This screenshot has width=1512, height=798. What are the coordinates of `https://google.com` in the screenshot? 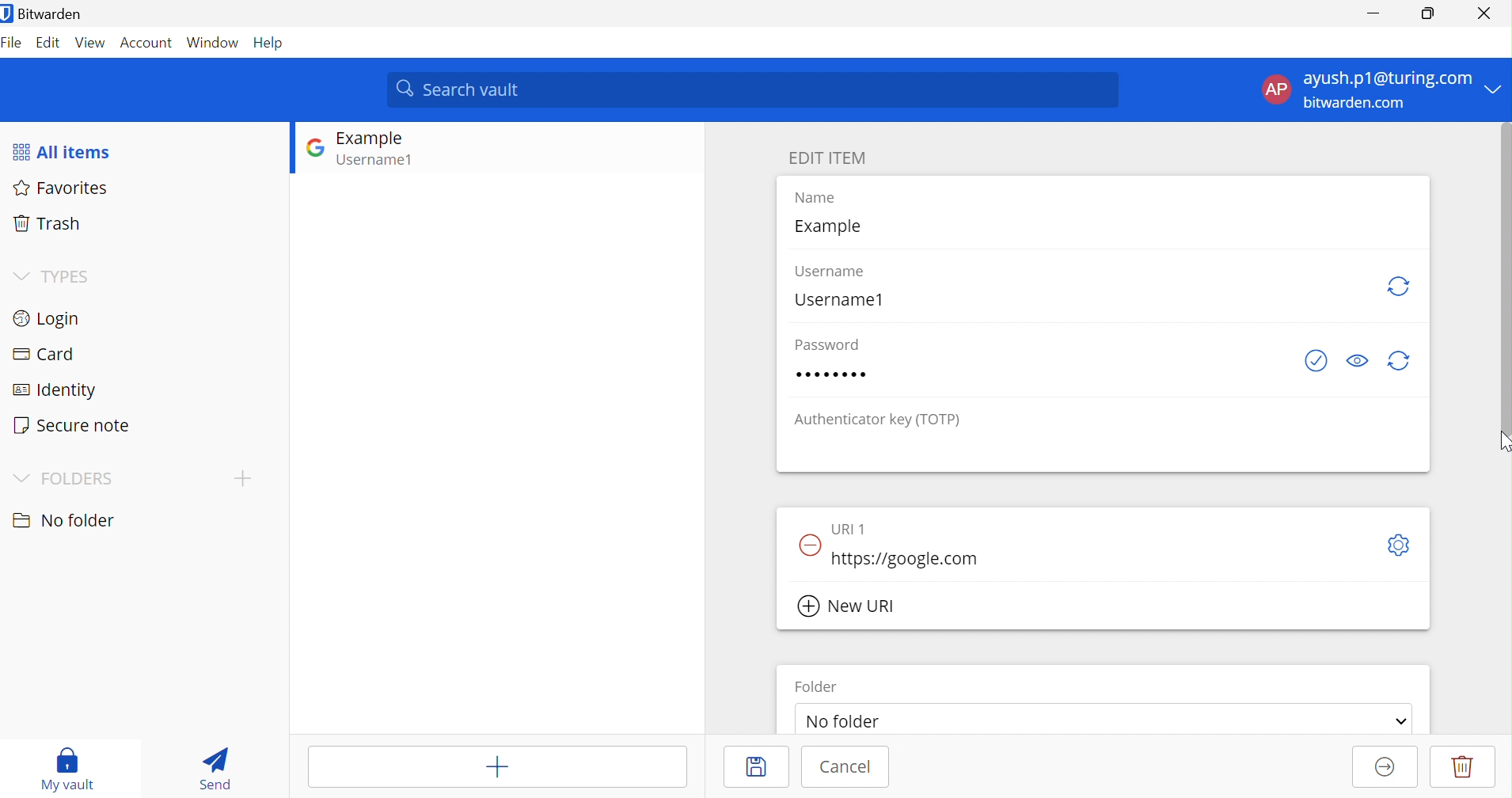 It's located at (907, 560).